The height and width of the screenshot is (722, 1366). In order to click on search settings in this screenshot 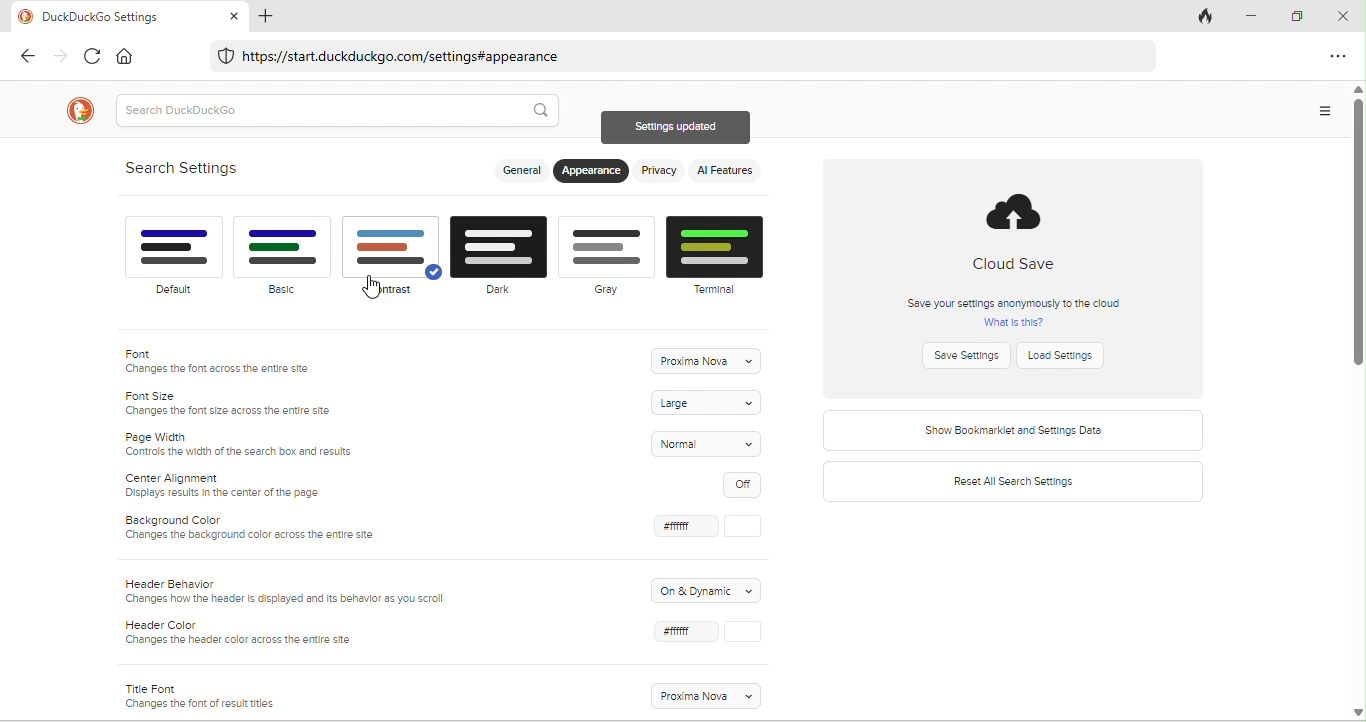, I will do `click(187, 168)`.